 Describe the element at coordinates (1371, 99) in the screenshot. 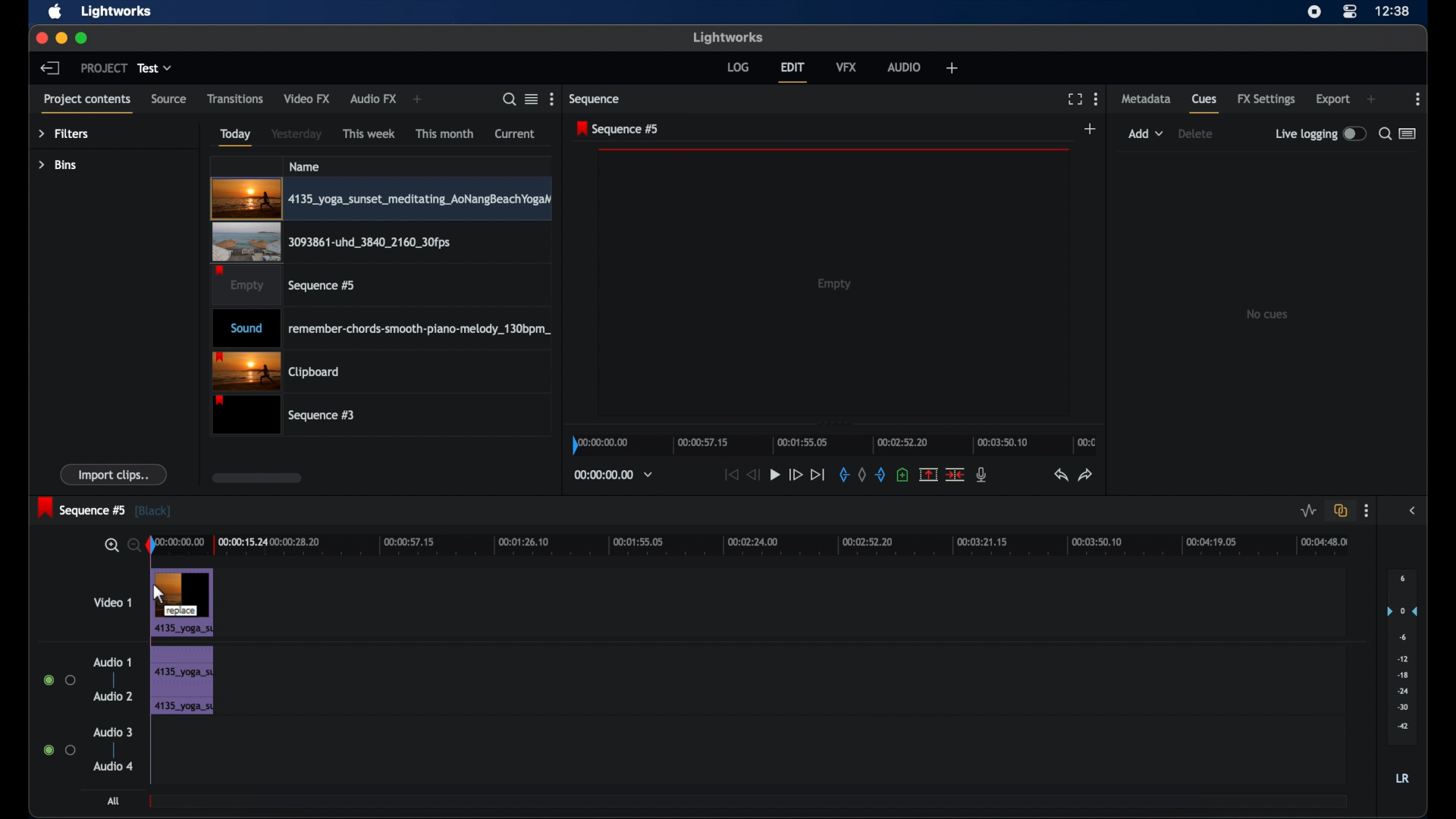

I see `add` at that location.